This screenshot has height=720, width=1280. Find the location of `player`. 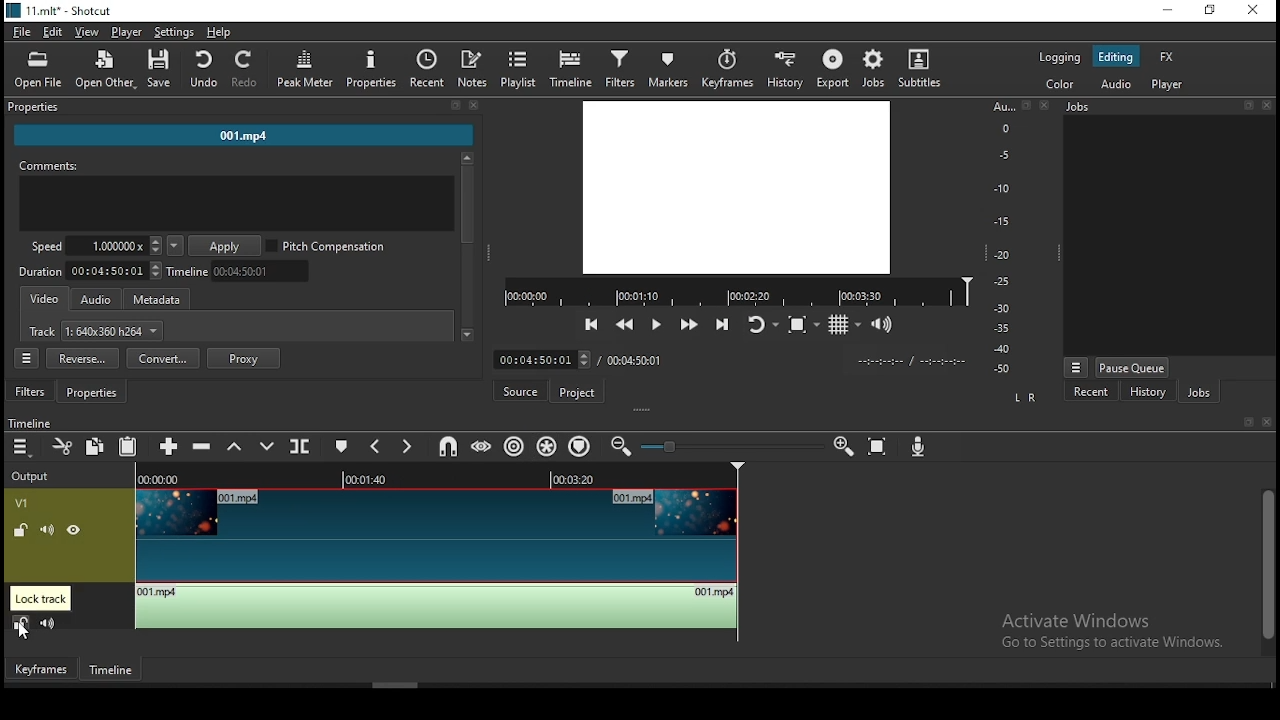

player is located at coordinates (126, 32).